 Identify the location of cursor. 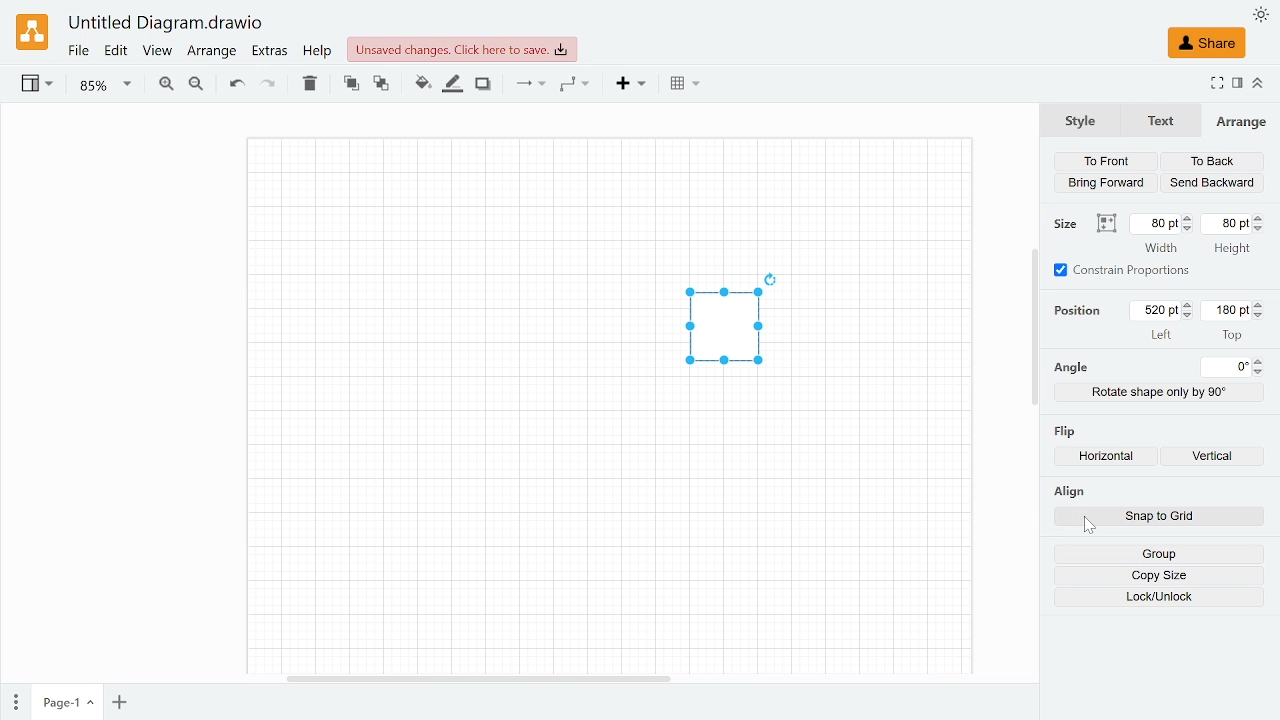
(1089, 526).